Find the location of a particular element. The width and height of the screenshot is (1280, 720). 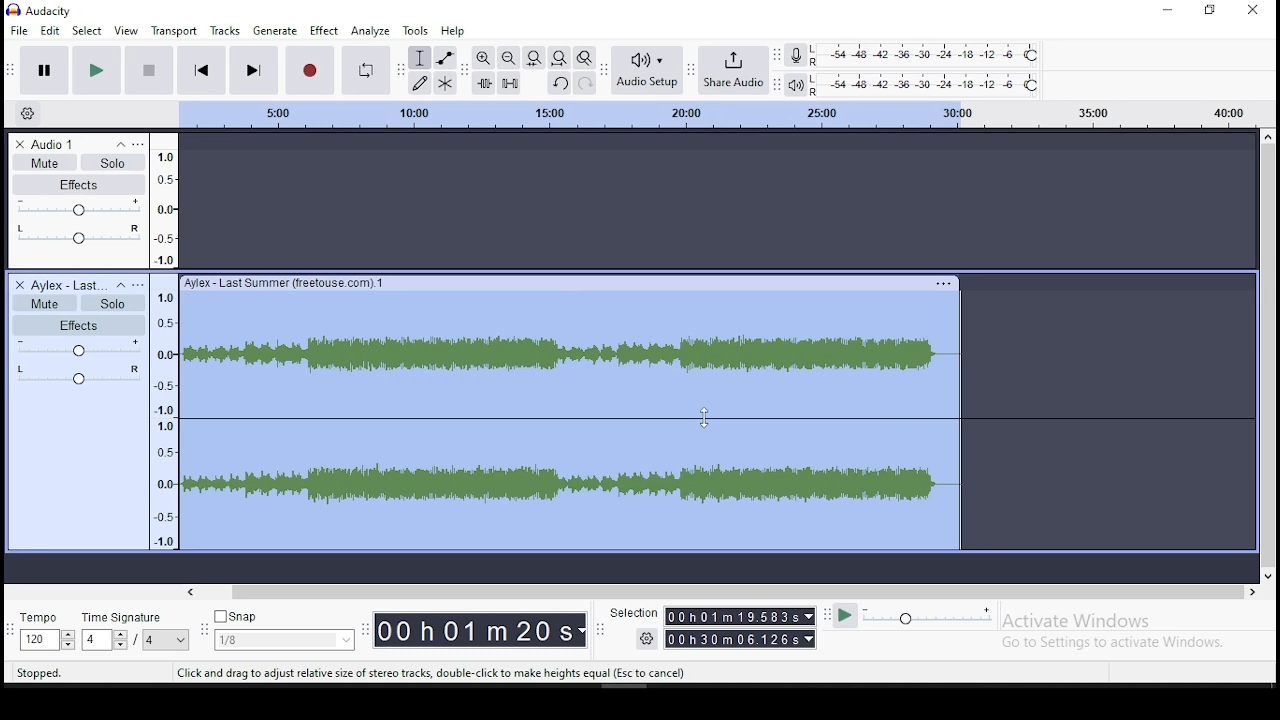

audio track name is located at coordinates (69, 142).